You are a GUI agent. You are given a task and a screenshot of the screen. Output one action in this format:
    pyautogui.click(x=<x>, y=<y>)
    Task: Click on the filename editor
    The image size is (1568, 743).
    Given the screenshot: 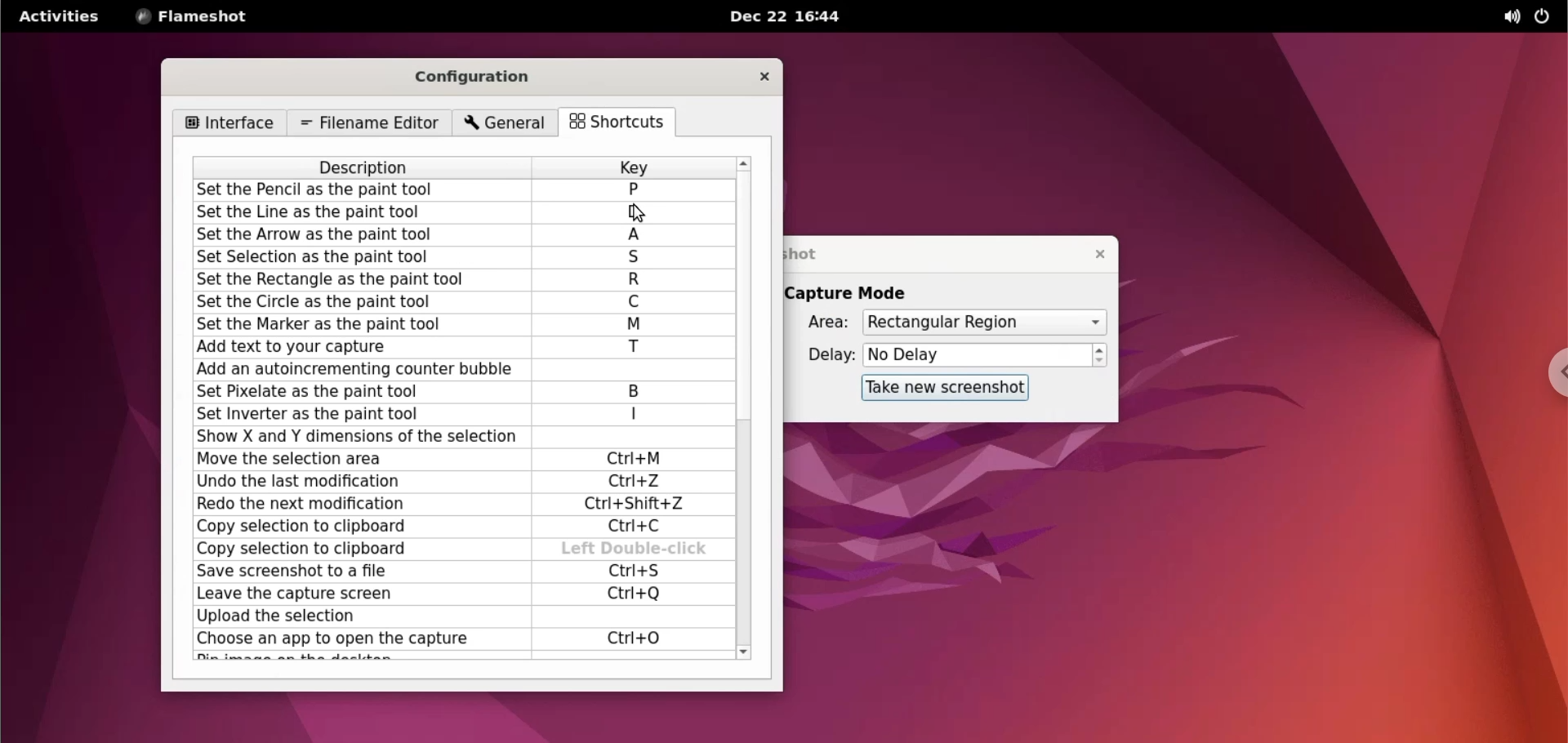 What is the action you would take?
    pyautogui.click(x=367, y=123)
    